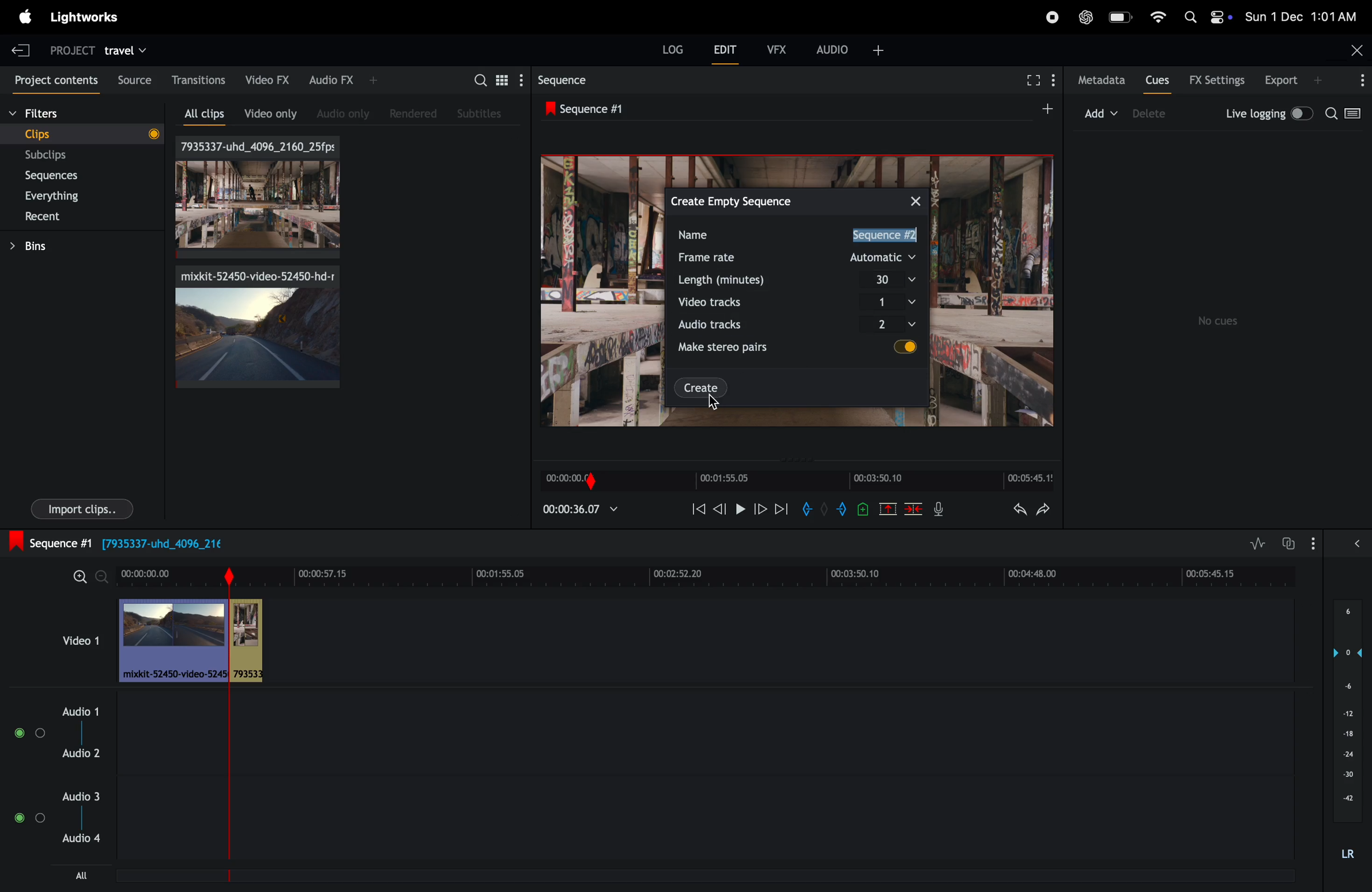 Image resolution: width=1372 pixels, height=892 pixels. Describe the element at coordinates (800, 481) in the screenshot. I see `time frame` at that location.